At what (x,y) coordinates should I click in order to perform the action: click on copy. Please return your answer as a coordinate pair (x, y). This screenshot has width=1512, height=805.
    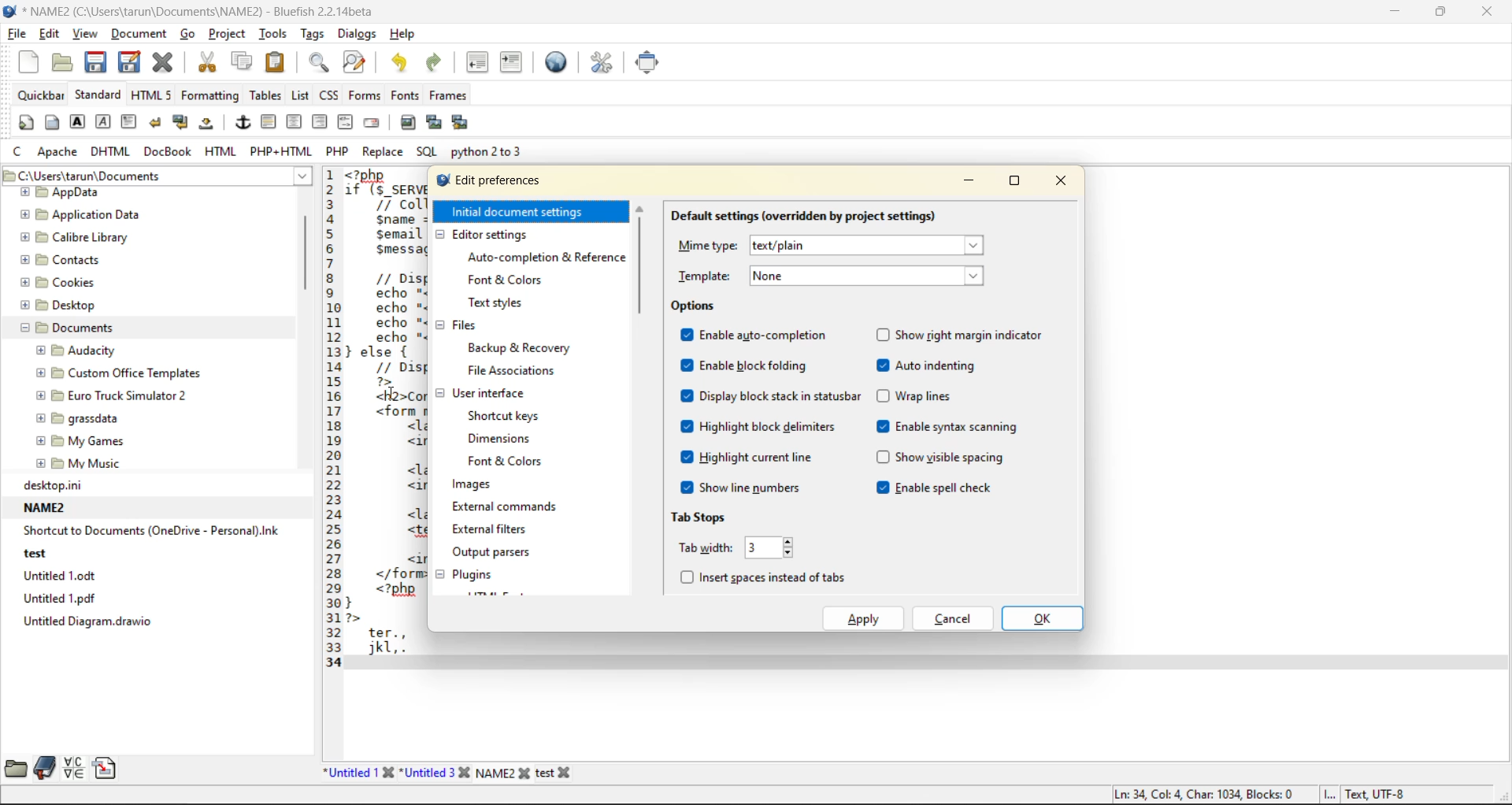
    Looking at the image, I should click on (244, 61).